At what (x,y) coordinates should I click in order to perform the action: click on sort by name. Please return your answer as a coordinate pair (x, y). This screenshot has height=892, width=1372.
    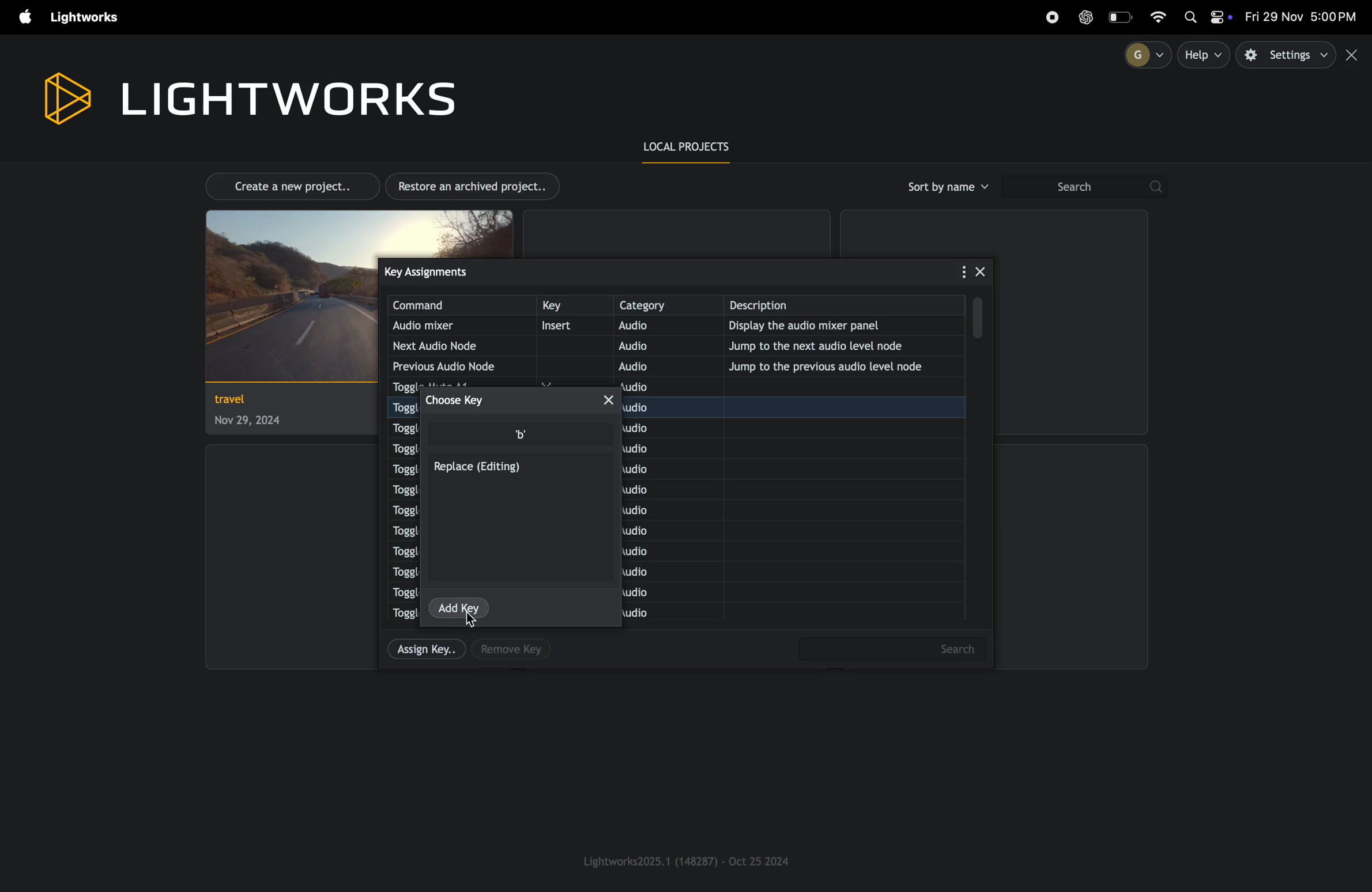
    Looking at the image, I should click on (946, 187).